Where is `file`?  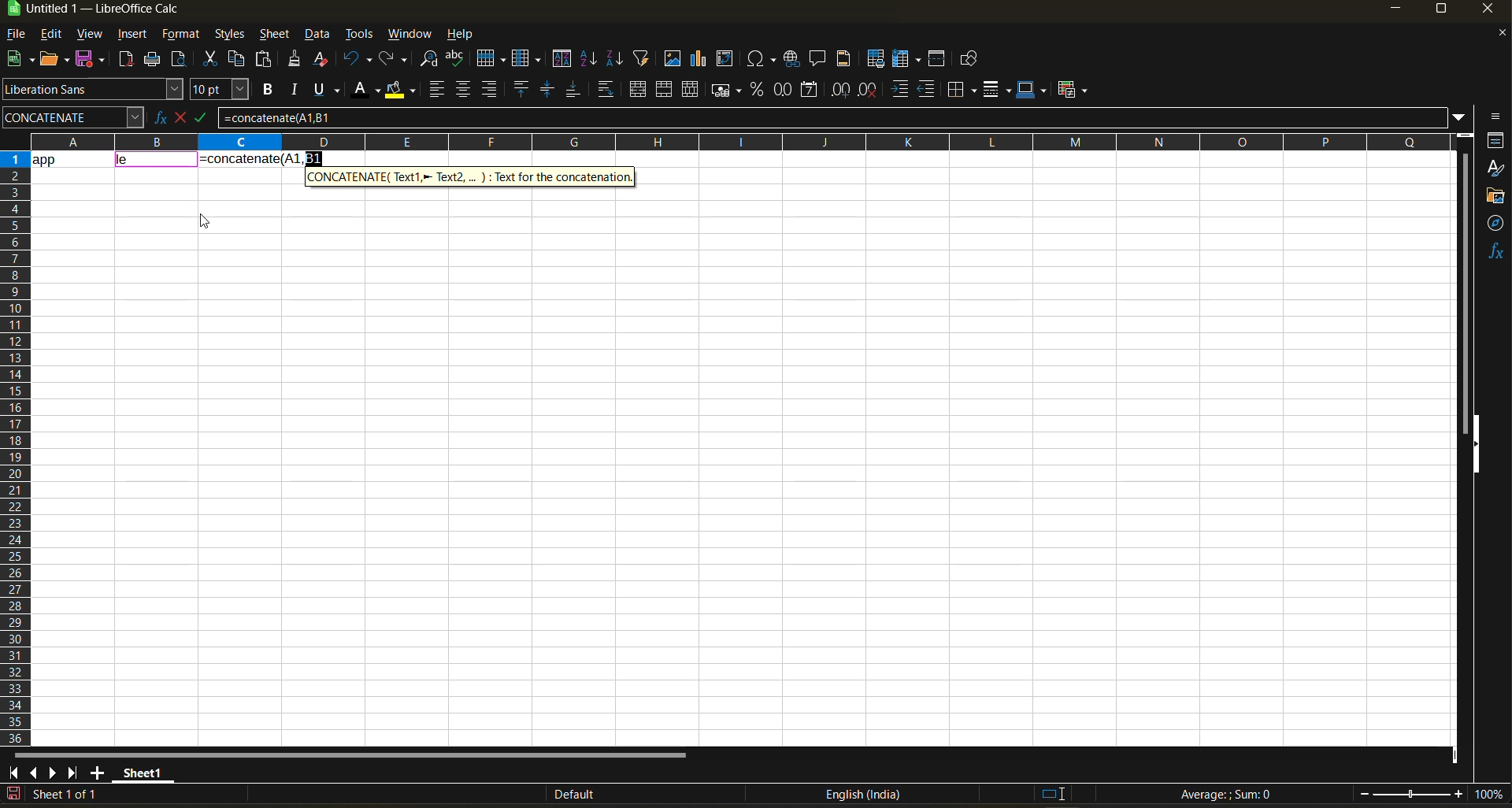
file is located at coordinates (21, 35).